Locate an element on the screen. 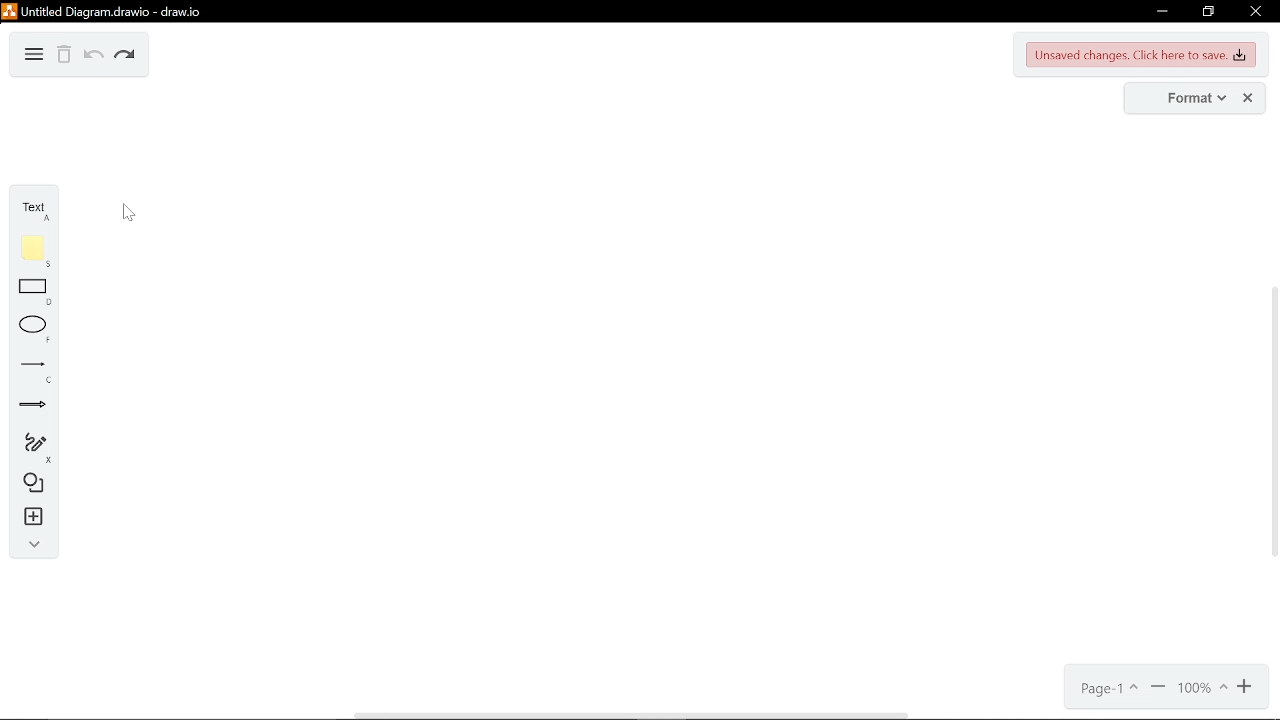 The width and height of the screenshot is (1280, 720). zoom out is located at coordinates (1159, 690).